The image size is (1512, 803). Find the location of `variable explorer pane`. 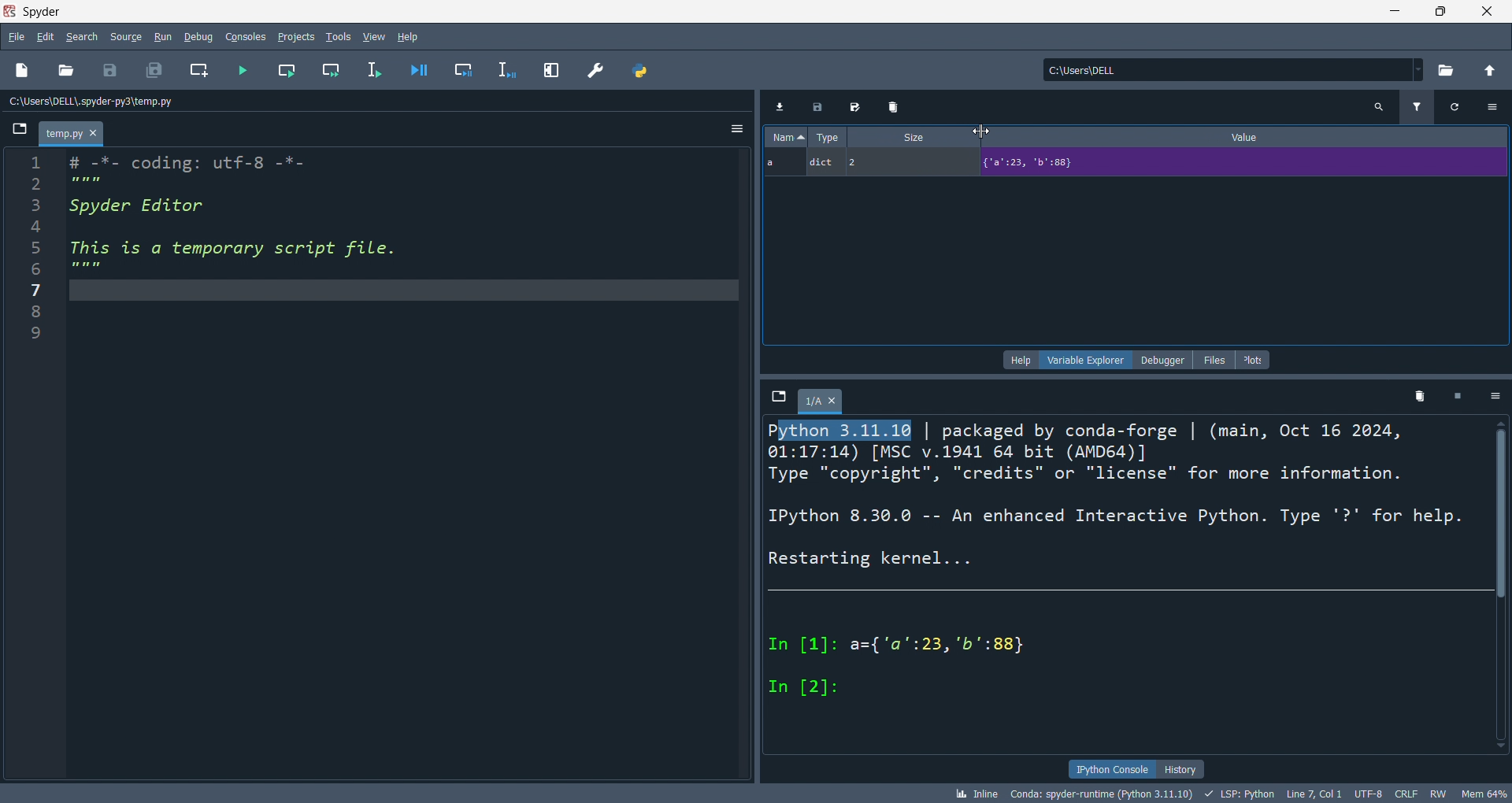

variable explorer pane is located at coordinates (1138, 261).